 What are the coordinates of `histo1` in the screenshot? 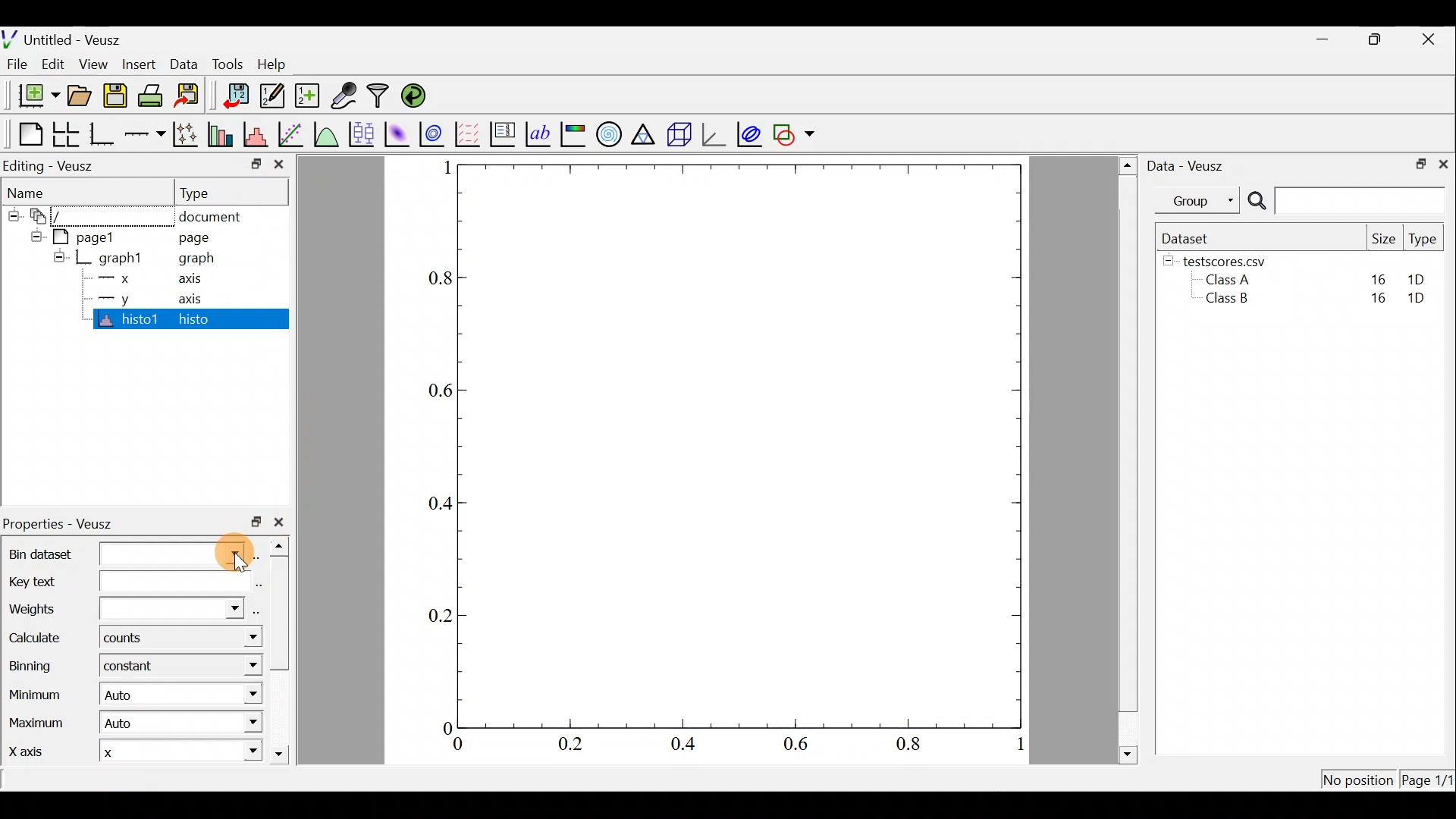 It's located at (130, 320).